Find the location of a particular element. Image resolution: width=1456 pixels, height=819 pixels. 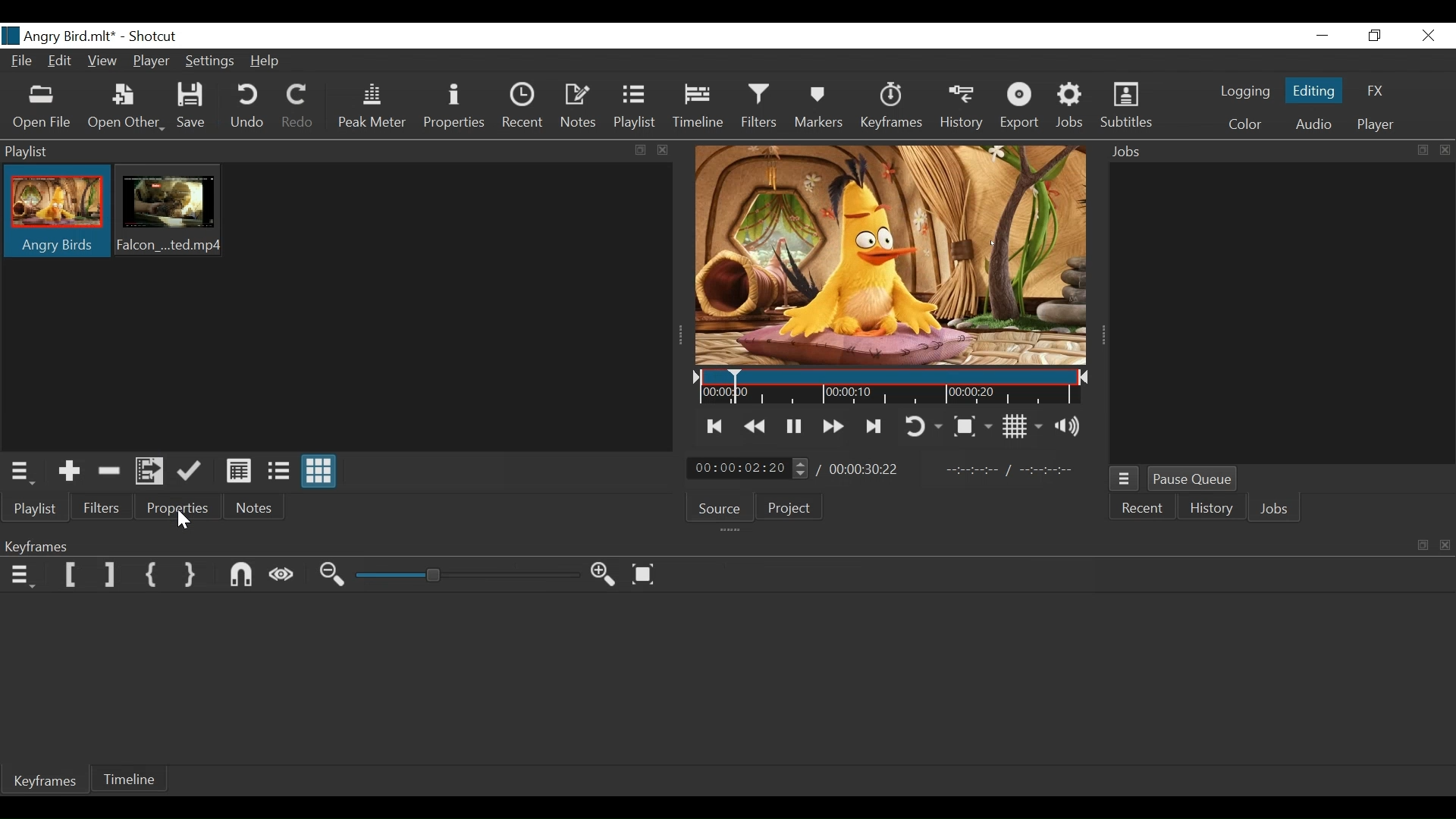

Minimize is located at coordinates (1323, 36).